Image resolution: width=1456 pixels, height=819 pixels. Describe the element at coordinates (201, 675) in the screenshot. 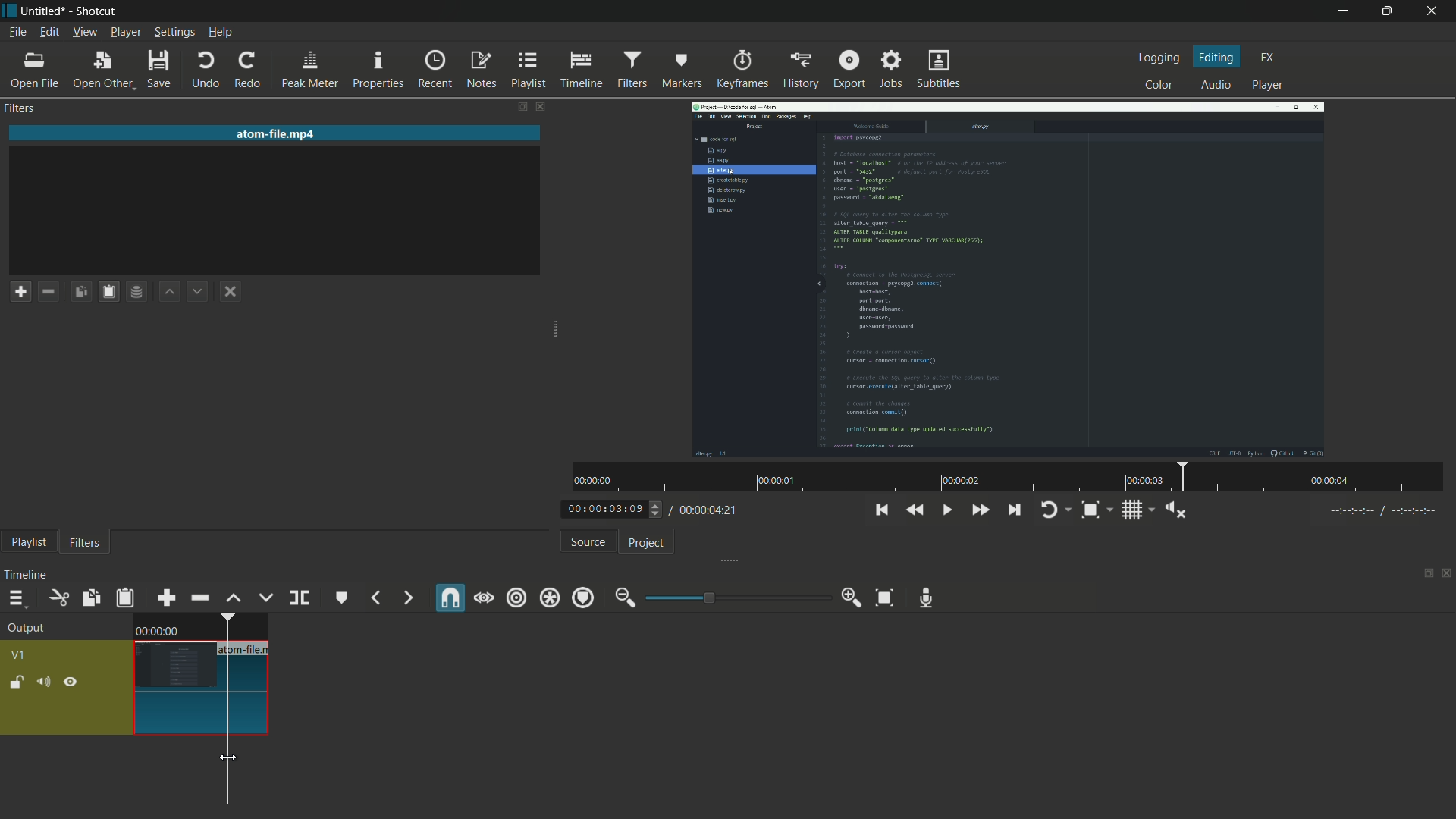

I see `video in timeline` at that location.